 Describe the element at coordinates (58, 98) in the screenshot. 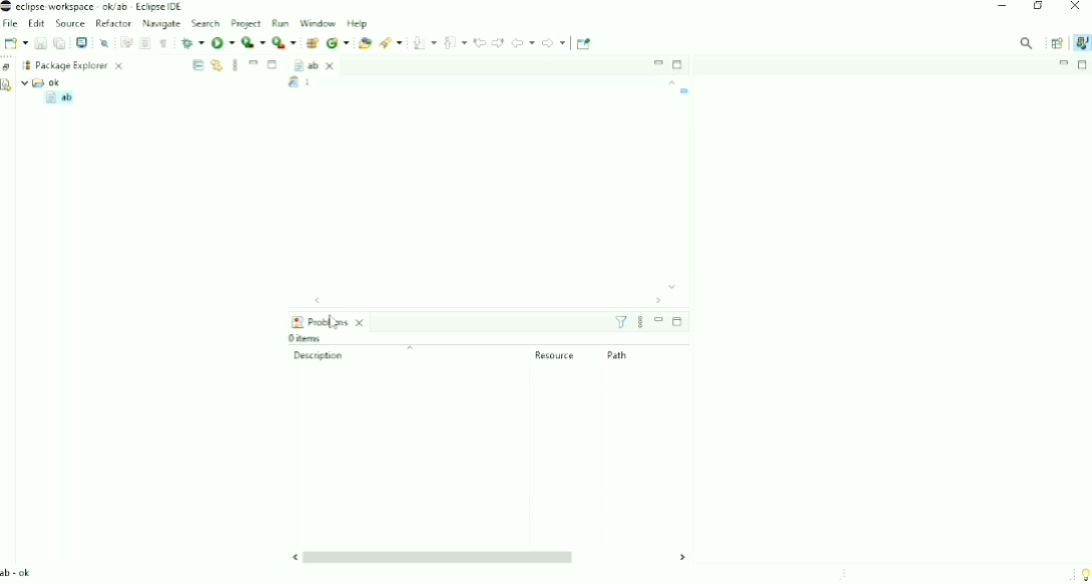

I see `ab` at that location.